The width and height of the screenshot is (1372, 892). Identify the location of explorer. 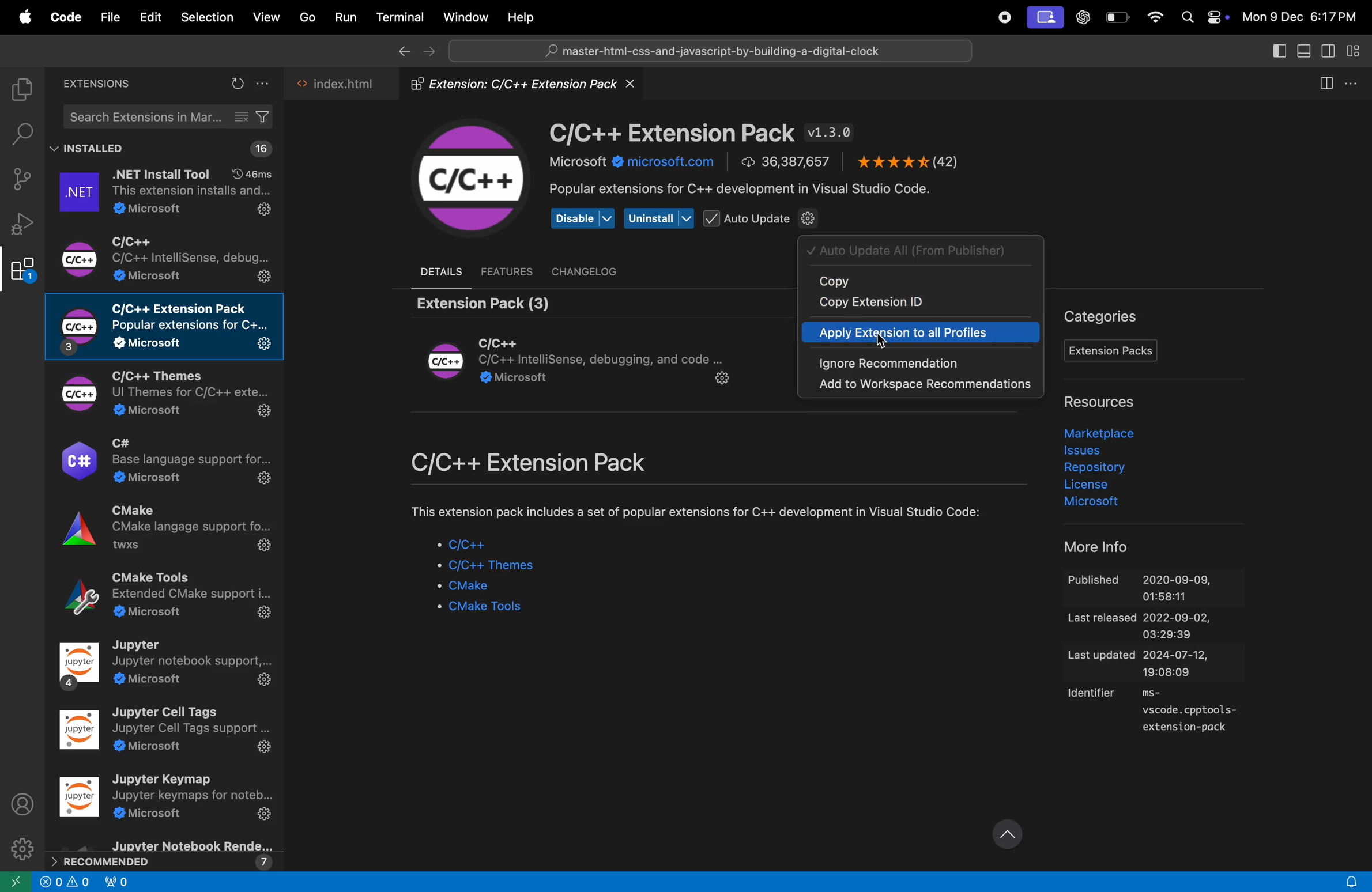
(18, 87).